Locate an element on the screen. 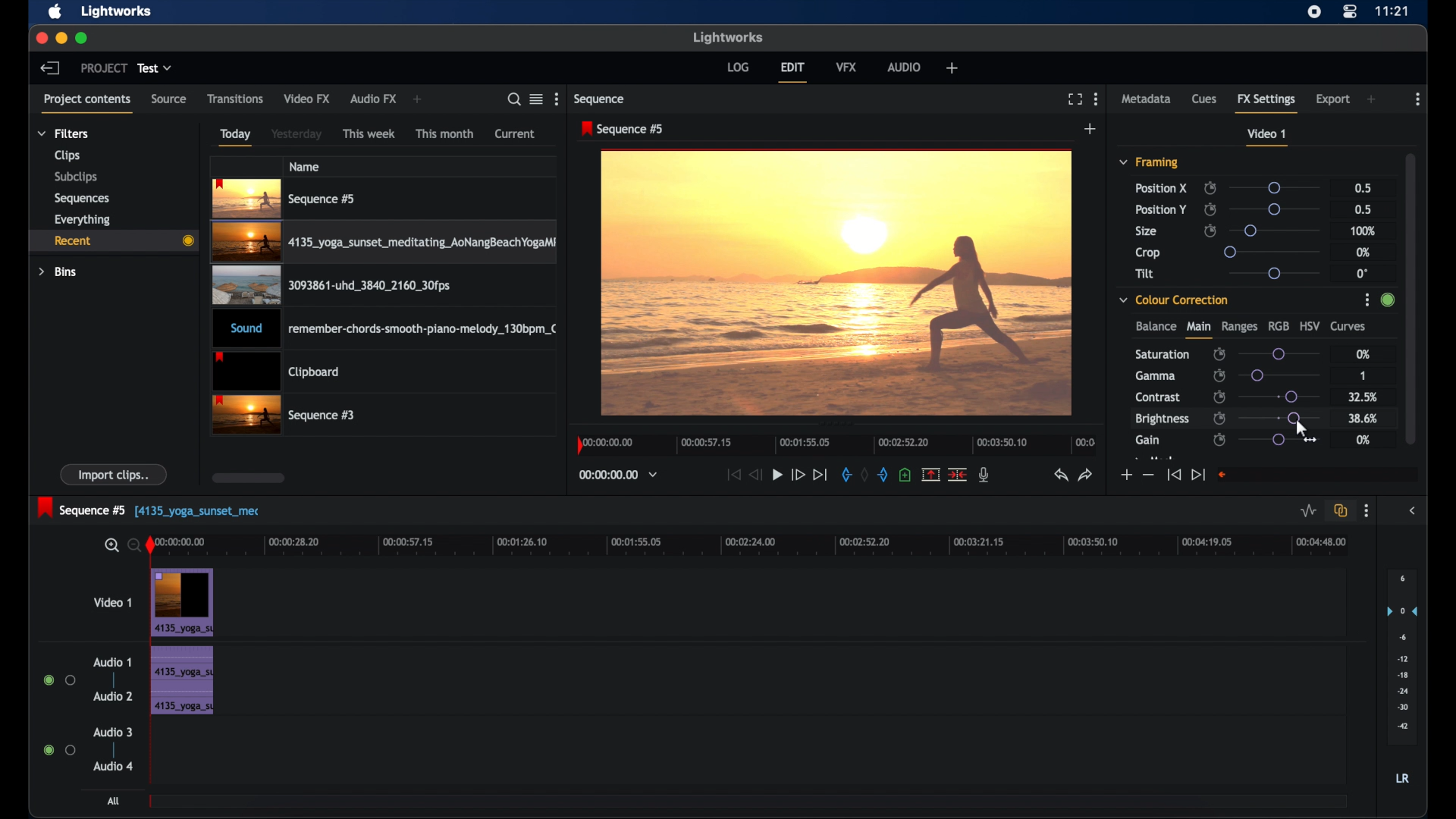  export is located at coordinates (1334, 99).